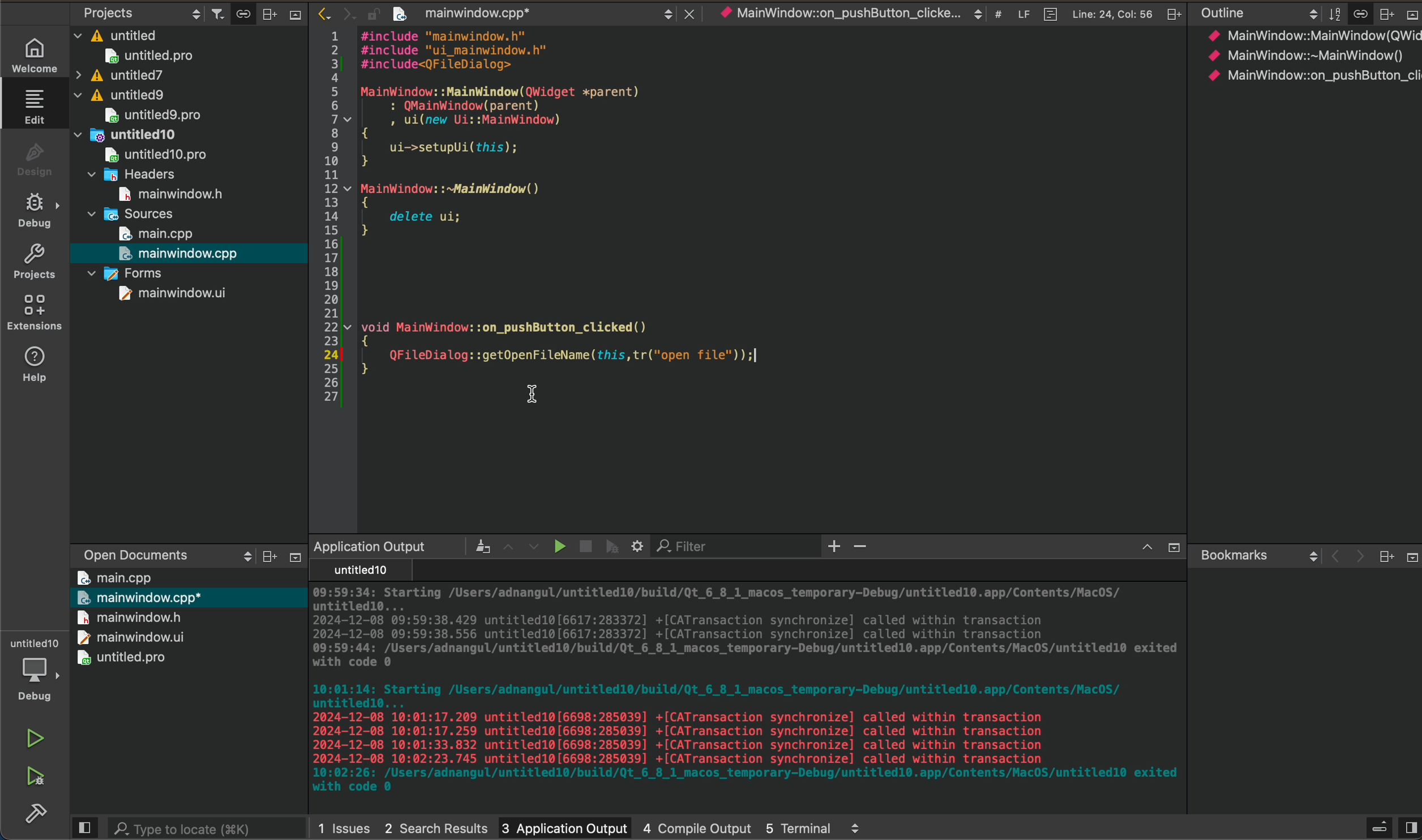 This screenshot has width=1422, height=840. Describe the element at coordinates (1409, 556) in the screenshot. I see `` at that location.